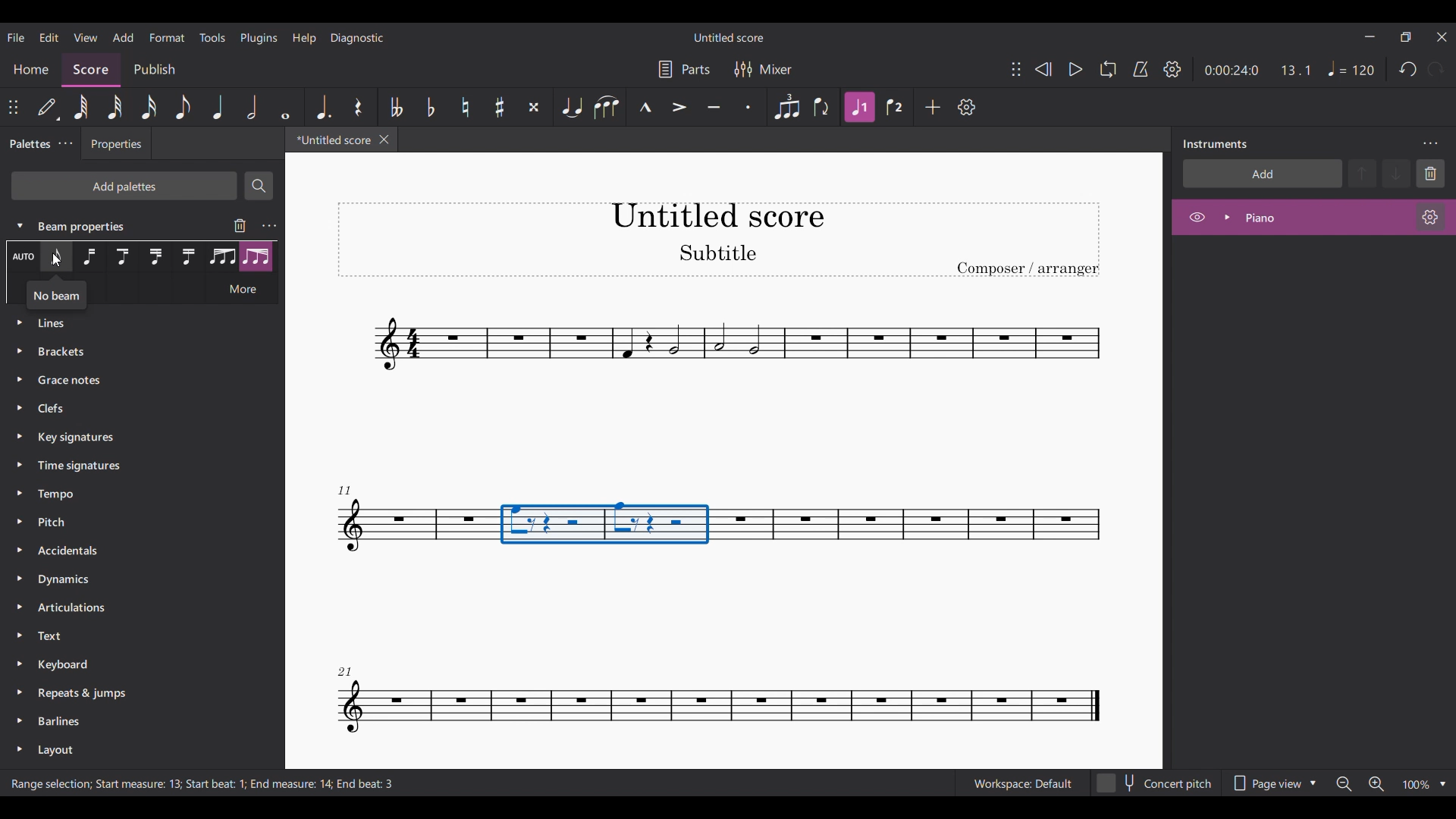 The height and width of the screenshot is (819, 1456). Describe the element at coordinates (269, 226) in the screenshot. I see `Instrument settings` at that location.